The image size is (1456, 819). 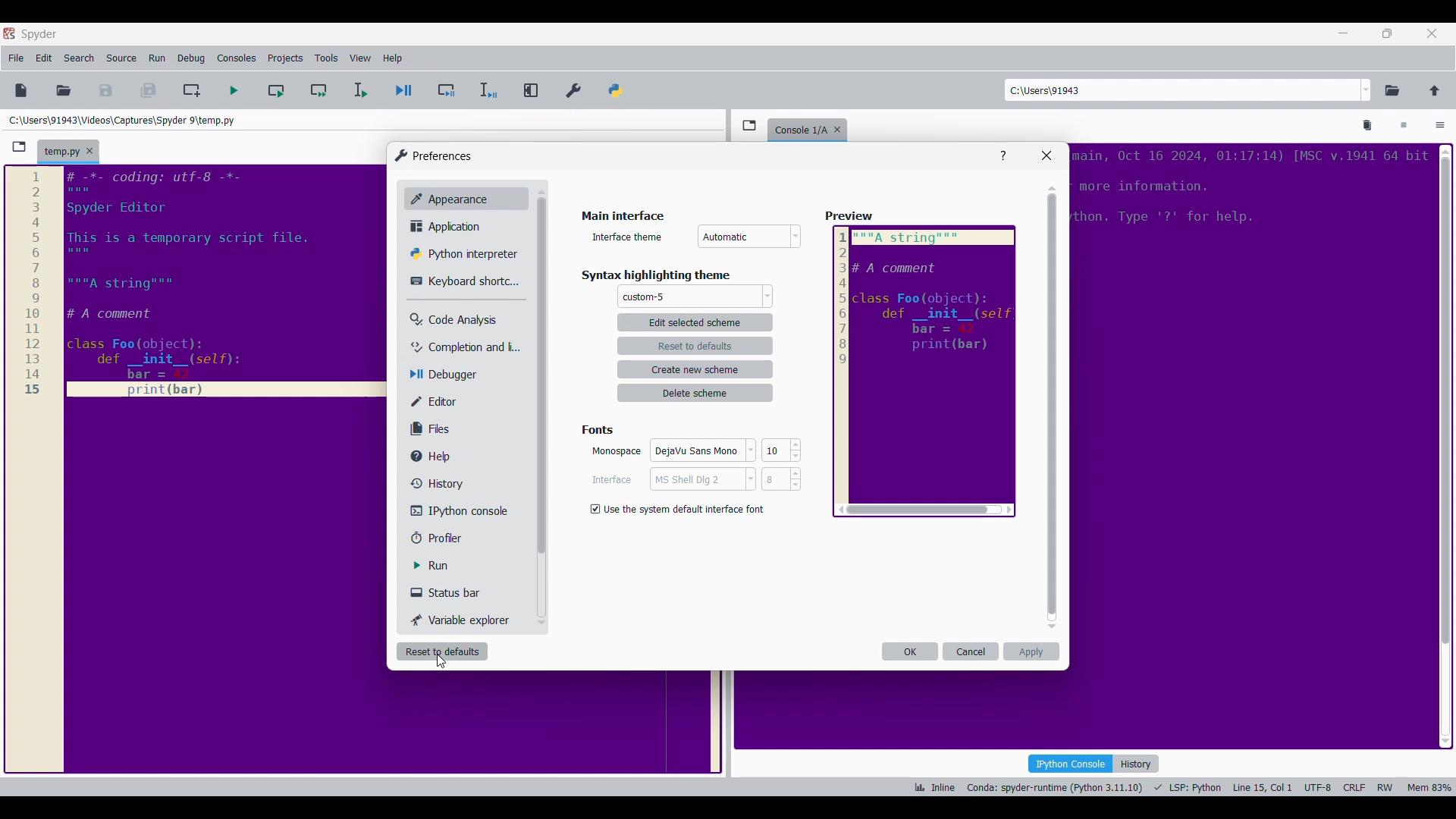 What do you see at coordinates (1441, 127) in the screenshot?
I see `Options` at bounding box center [1441, 127].